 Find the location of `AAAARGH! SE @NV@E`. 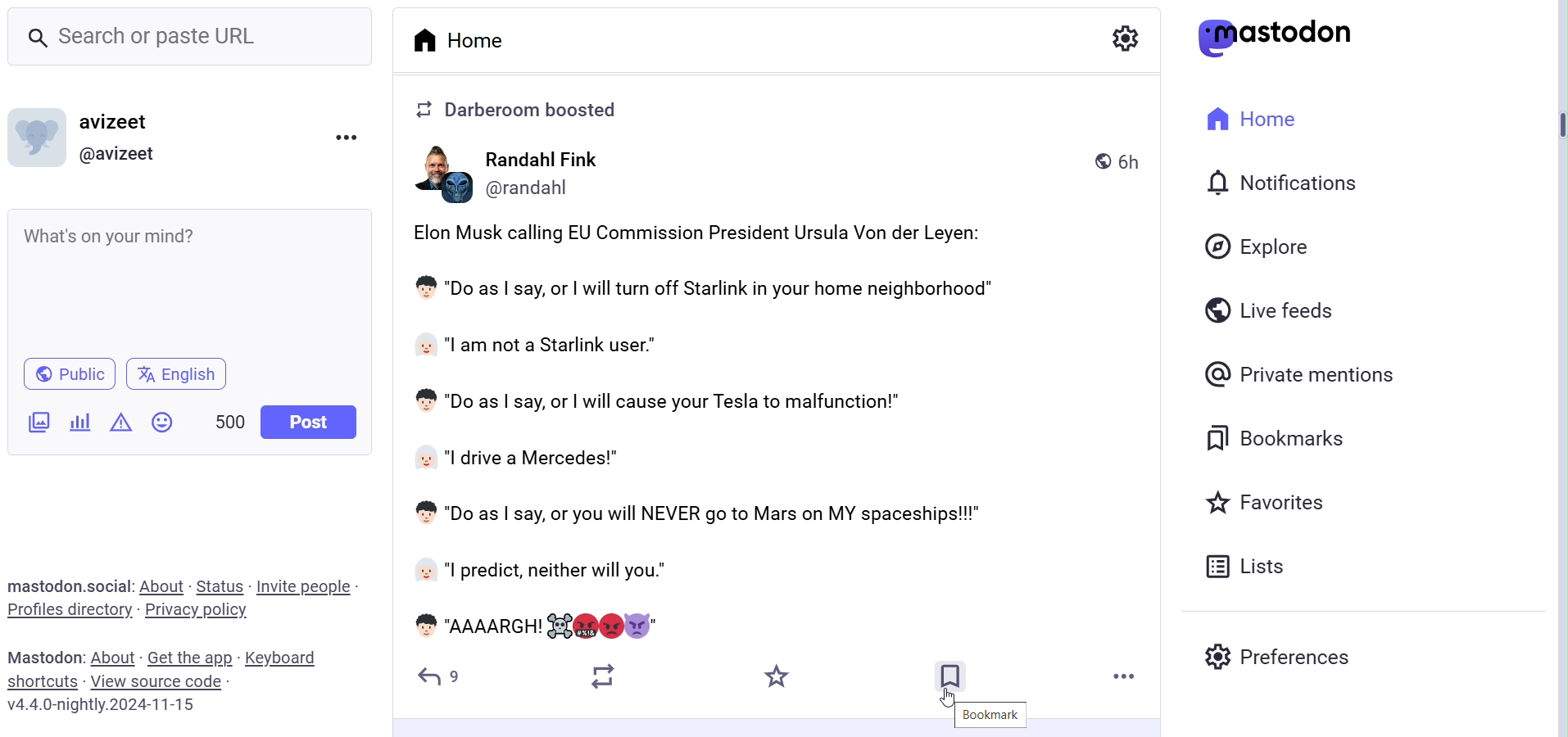

AAAARGH! SE @NV@E is located at coordinates (546, 623).